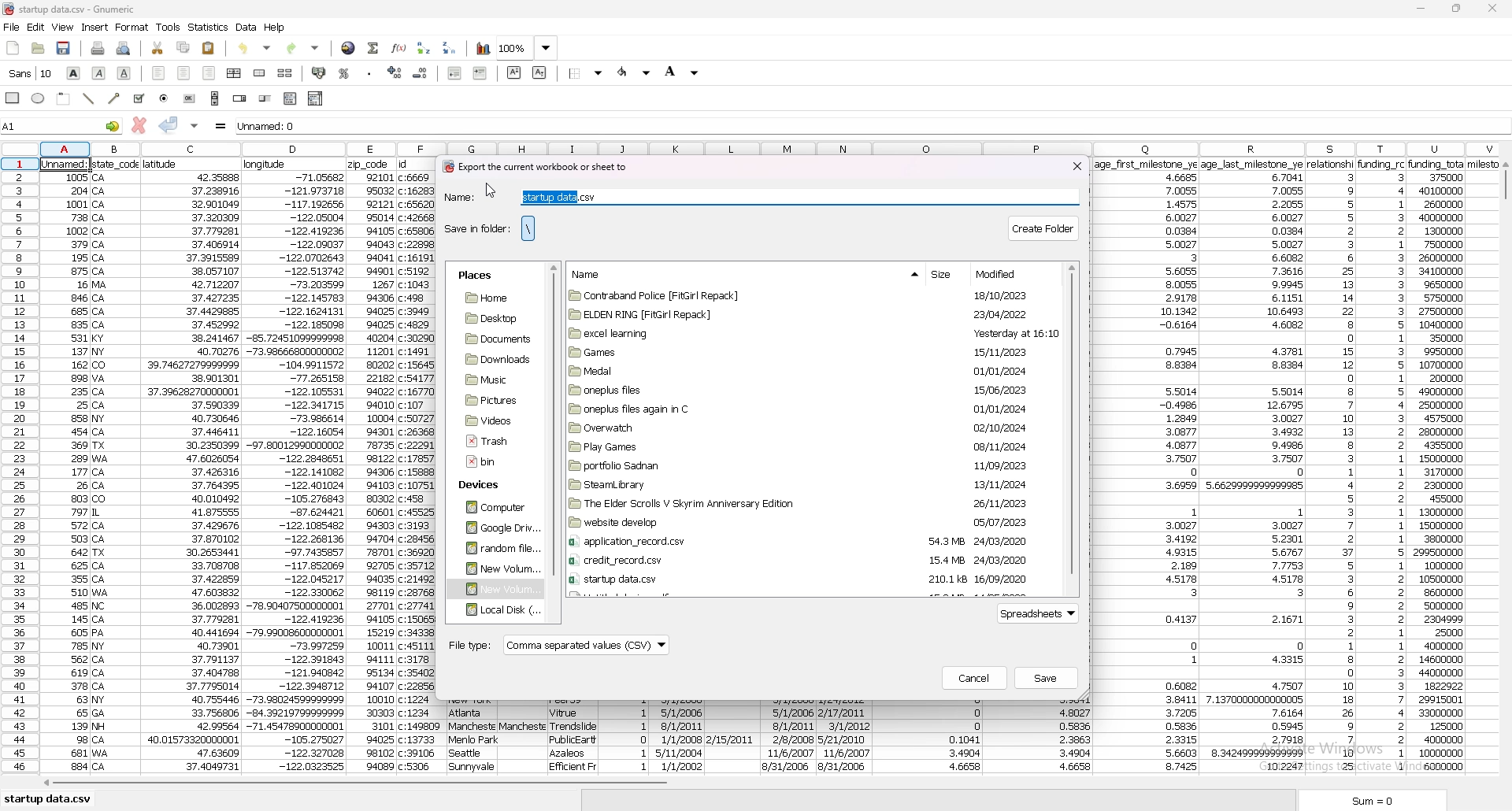  I want to click on frame, so click(65, 98).